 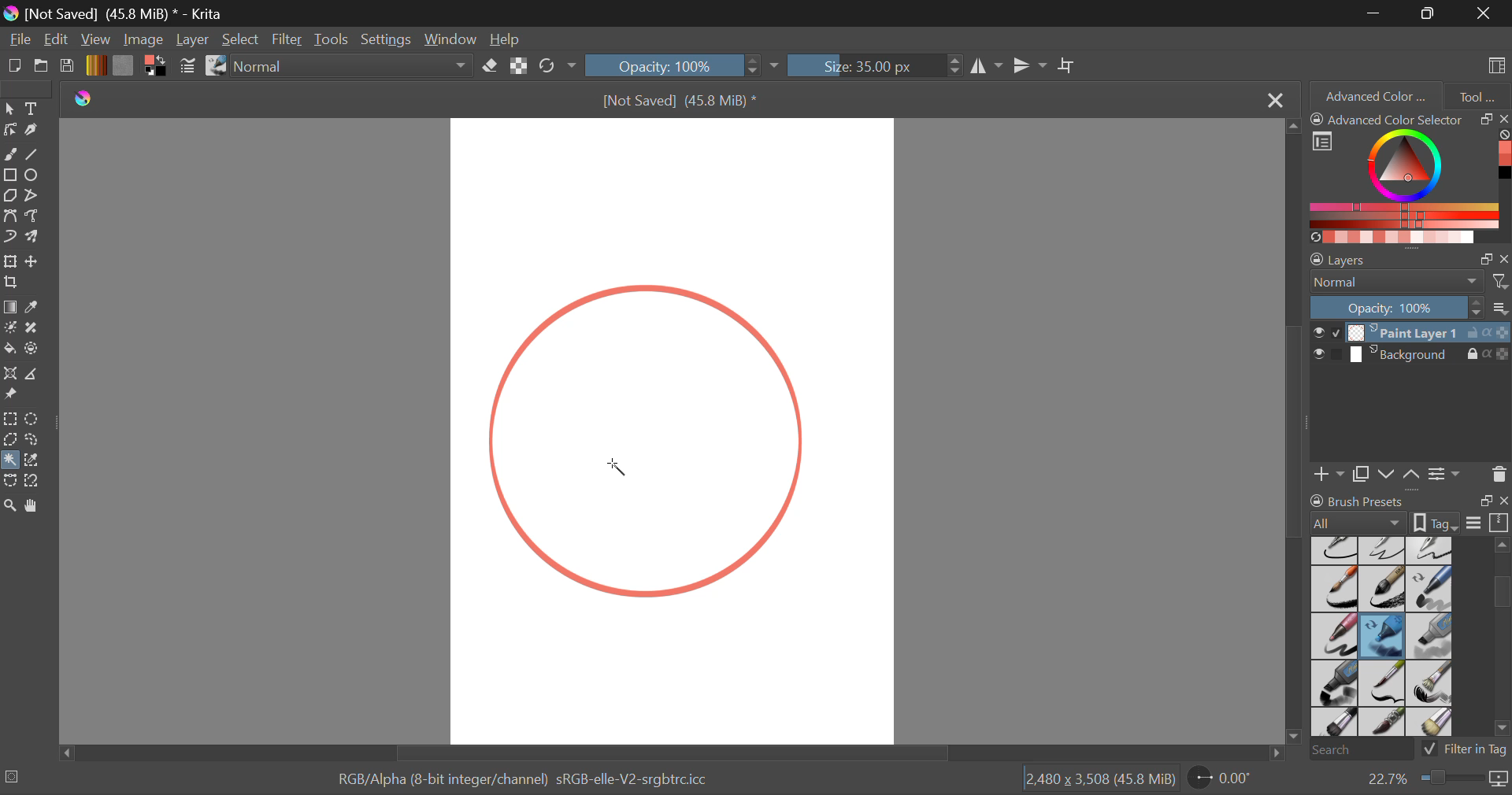 I want to click on Eyedropper, so click(x=36, y=308).